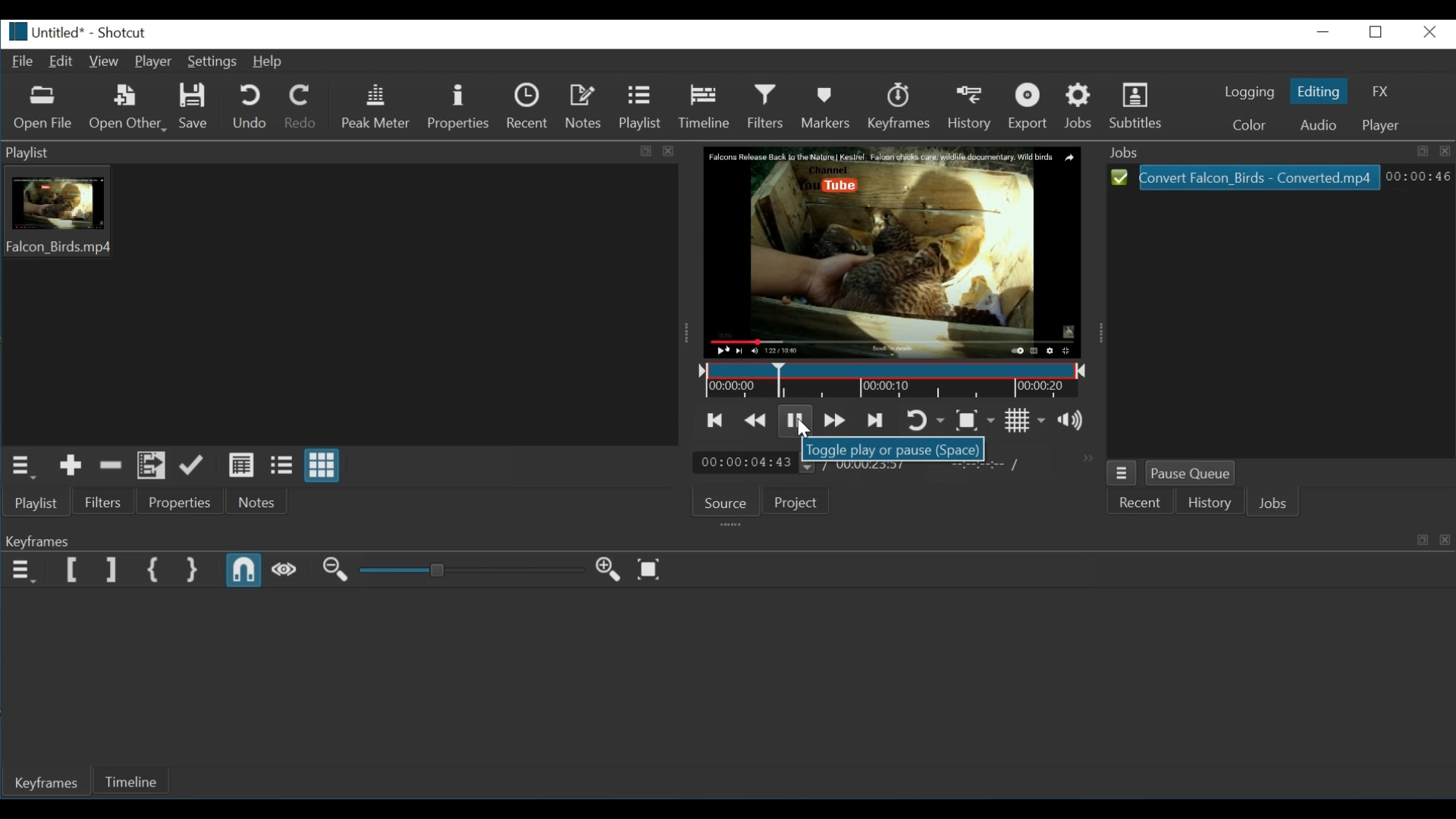 This screenshot has width=1456, height=819. What do you see at coordinates (752, 420) in the screenshot?
I see `Play quickly backwards` at bounding box center [752, 420].